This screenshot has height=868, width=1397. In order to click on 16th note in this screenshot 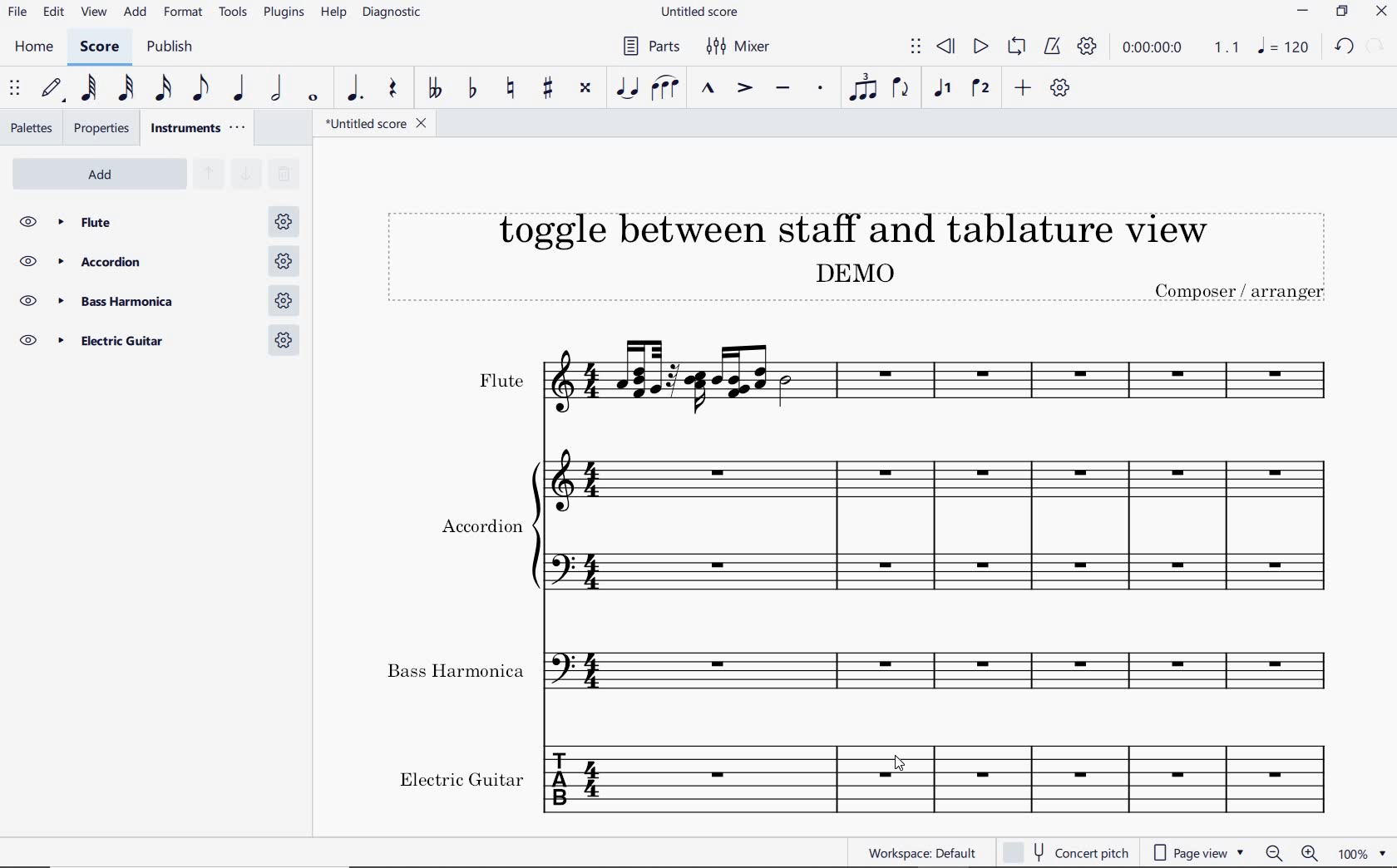, I will do `click(163, 89)`.